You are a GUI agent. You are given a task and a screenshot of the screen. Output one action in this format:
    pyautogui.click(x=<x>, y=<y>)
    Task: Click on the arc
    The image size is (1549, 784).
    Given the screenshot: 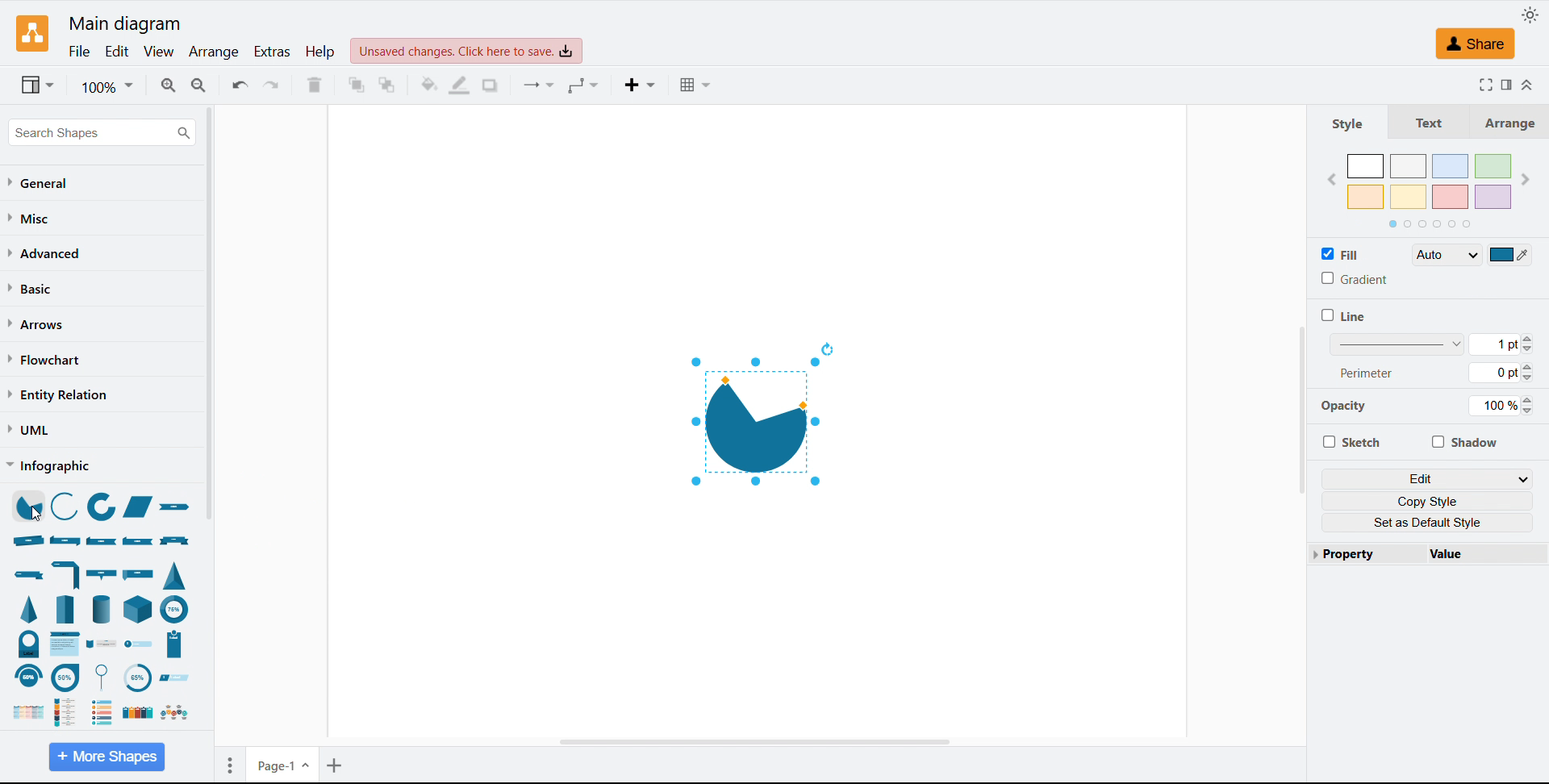 What is the action you would take?
    pyautogui.click(x=65, y=506)
    